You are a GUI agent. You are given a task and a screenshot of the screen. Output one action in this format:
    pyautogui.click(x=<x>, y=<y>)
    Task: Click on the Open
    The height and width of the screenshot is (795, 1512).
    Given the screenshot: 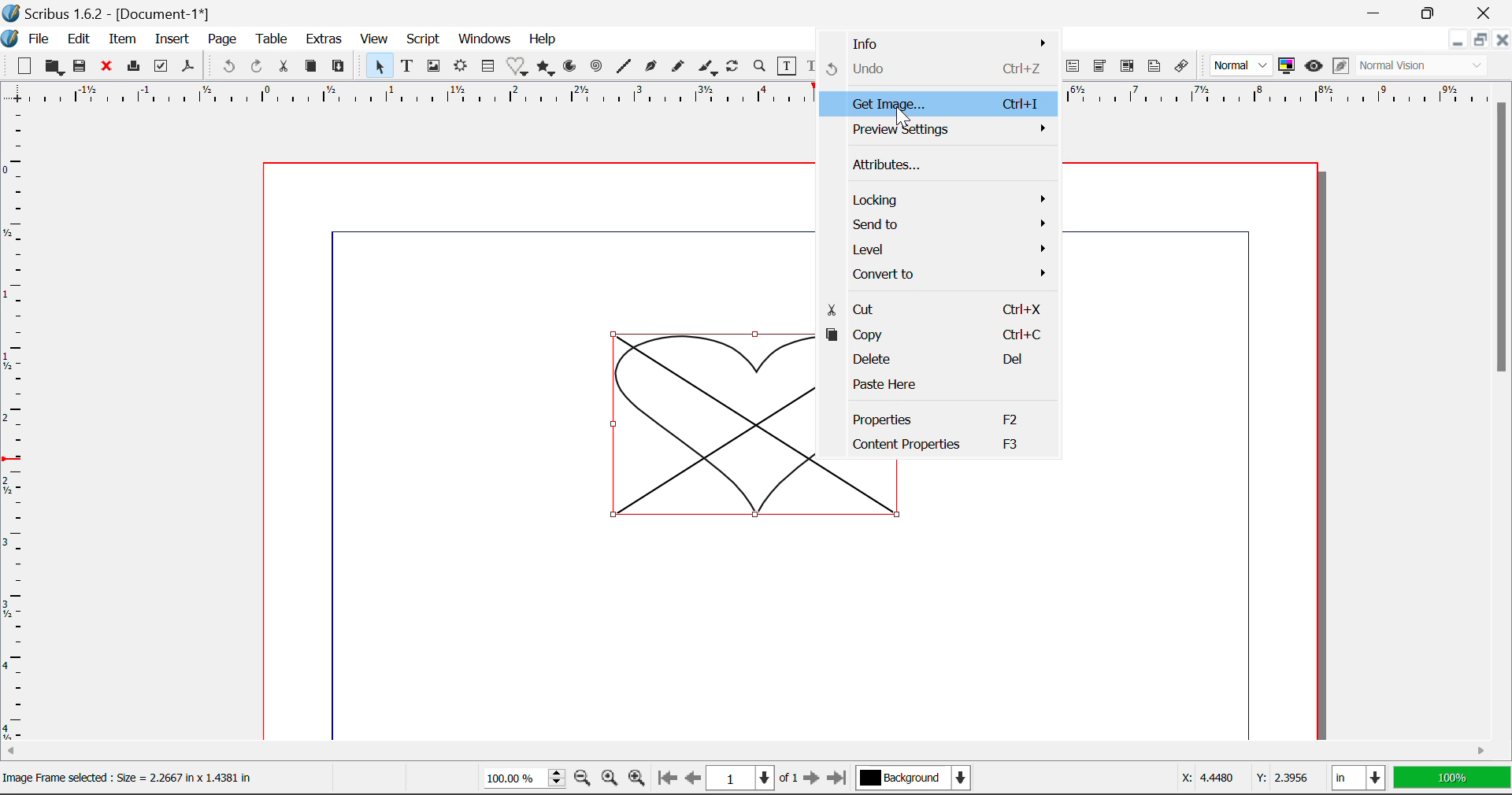 What is the action you would take?
    pyautogui.click(x=55, y=67)
    